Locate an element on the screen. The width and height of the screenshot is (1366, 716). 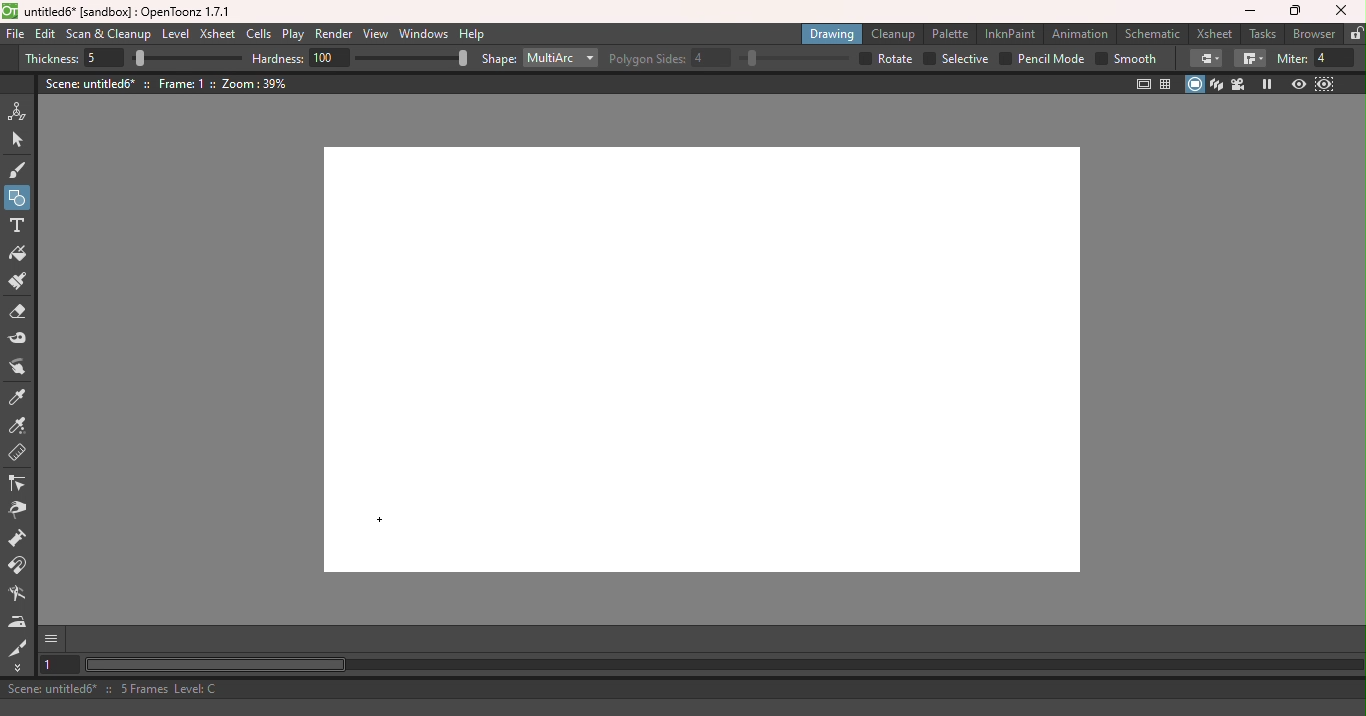
Cap is located at coordinates (1205, 59).